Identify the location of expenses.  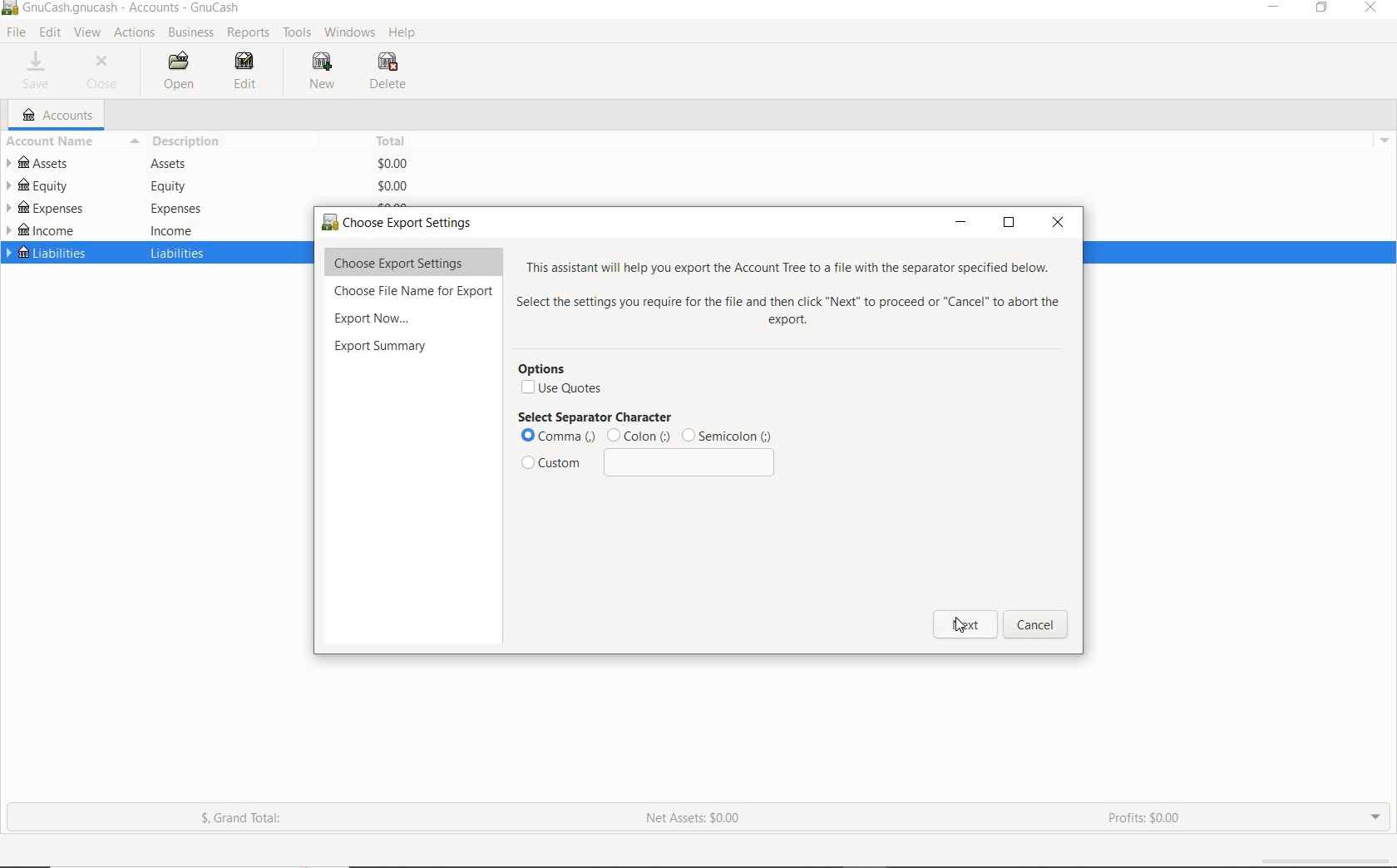
(174, 209).